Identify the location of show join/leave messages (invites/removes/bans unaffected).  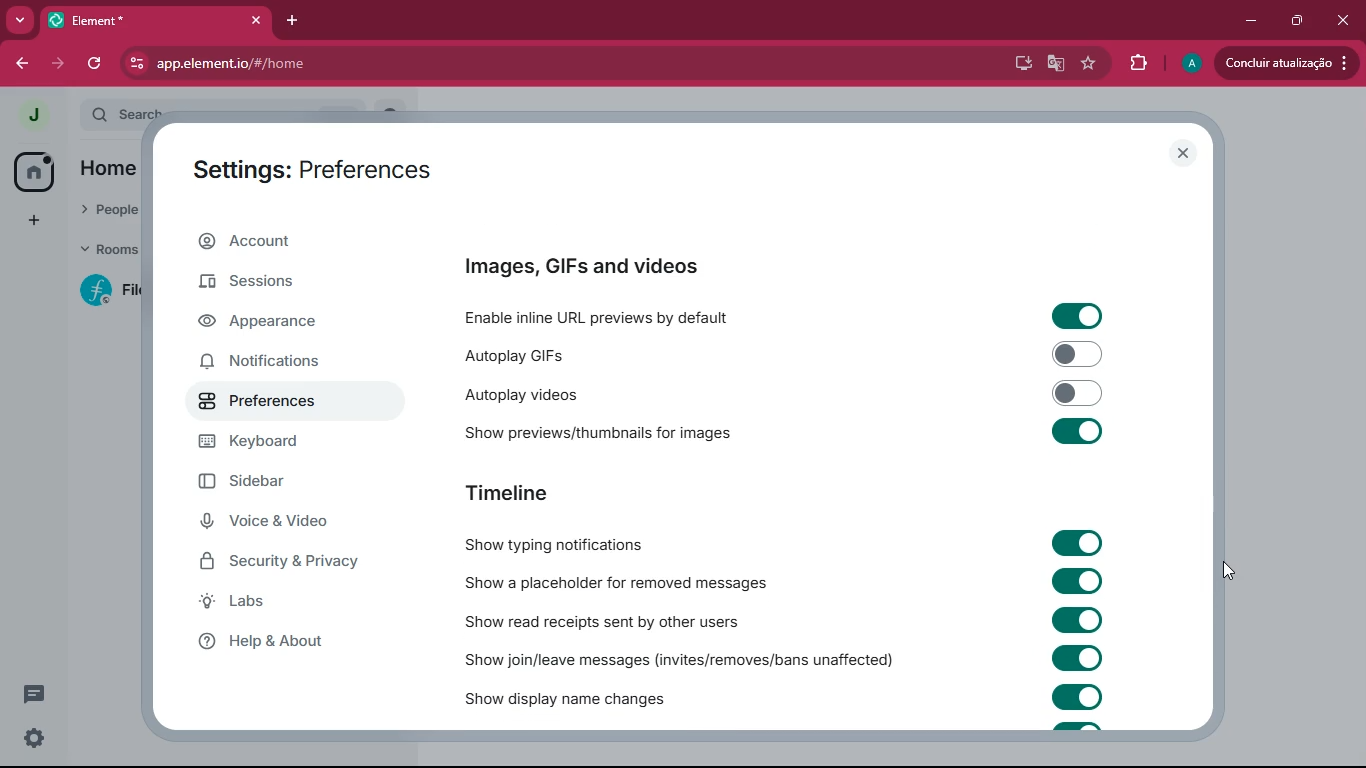
(681, 658).